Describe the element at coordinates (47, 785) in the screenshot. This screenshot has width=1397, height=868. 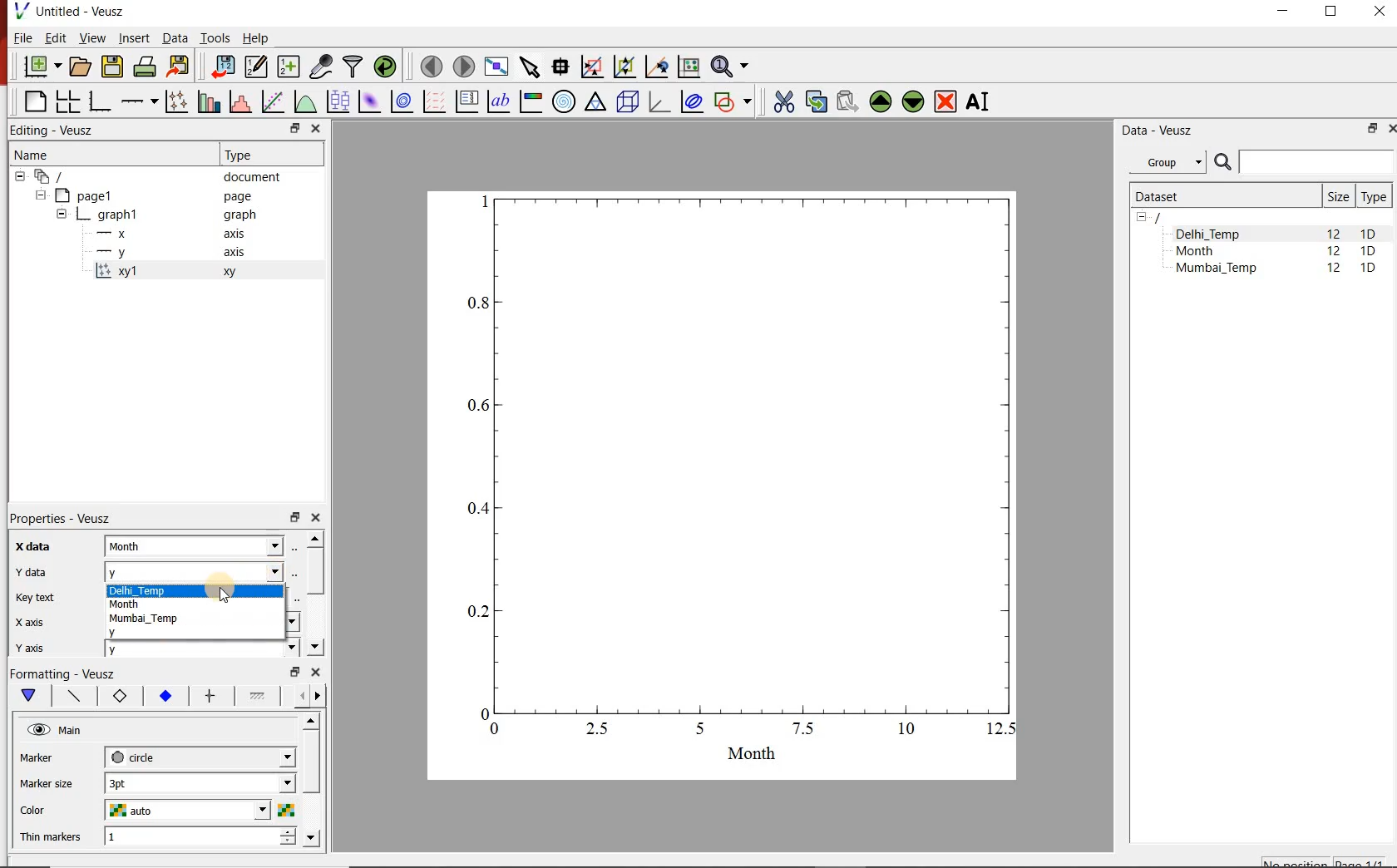
I see `Marker size` at that location.